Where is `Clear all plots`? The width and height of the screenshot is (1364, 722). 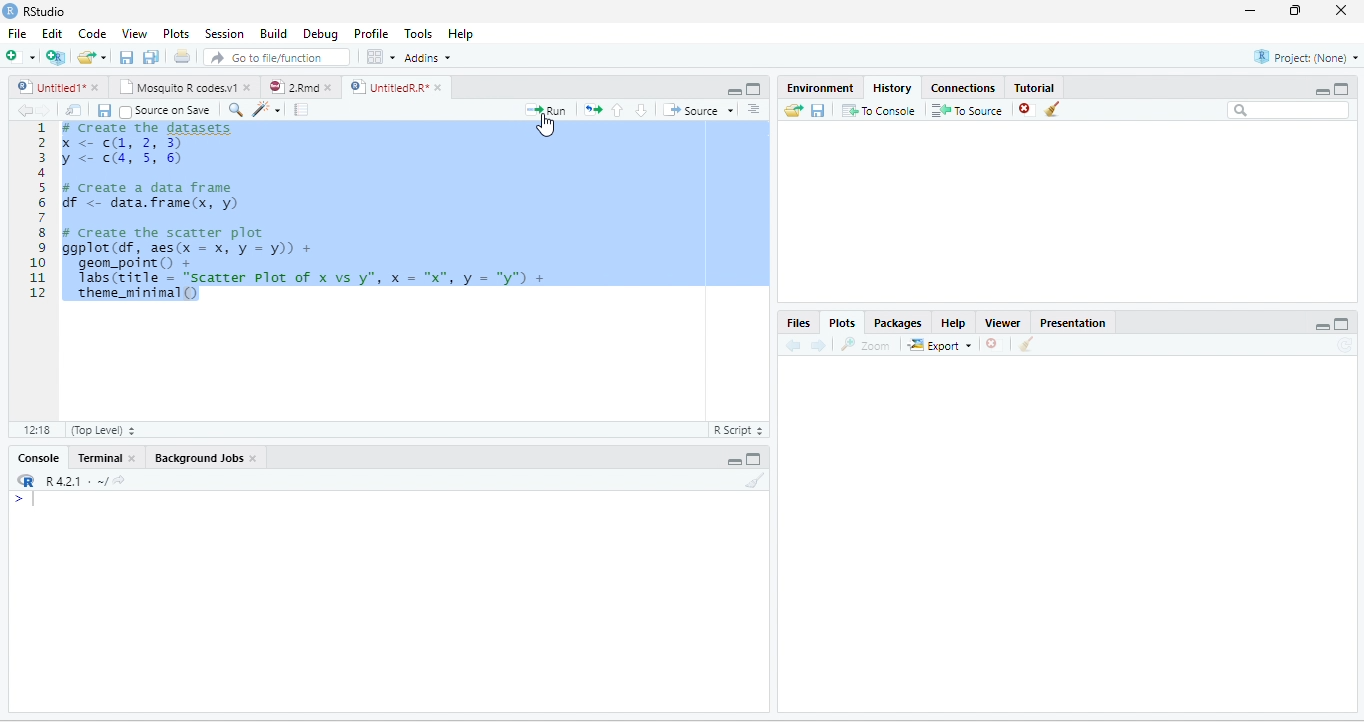 Clear all plots is located at coordinates (1027, 344).